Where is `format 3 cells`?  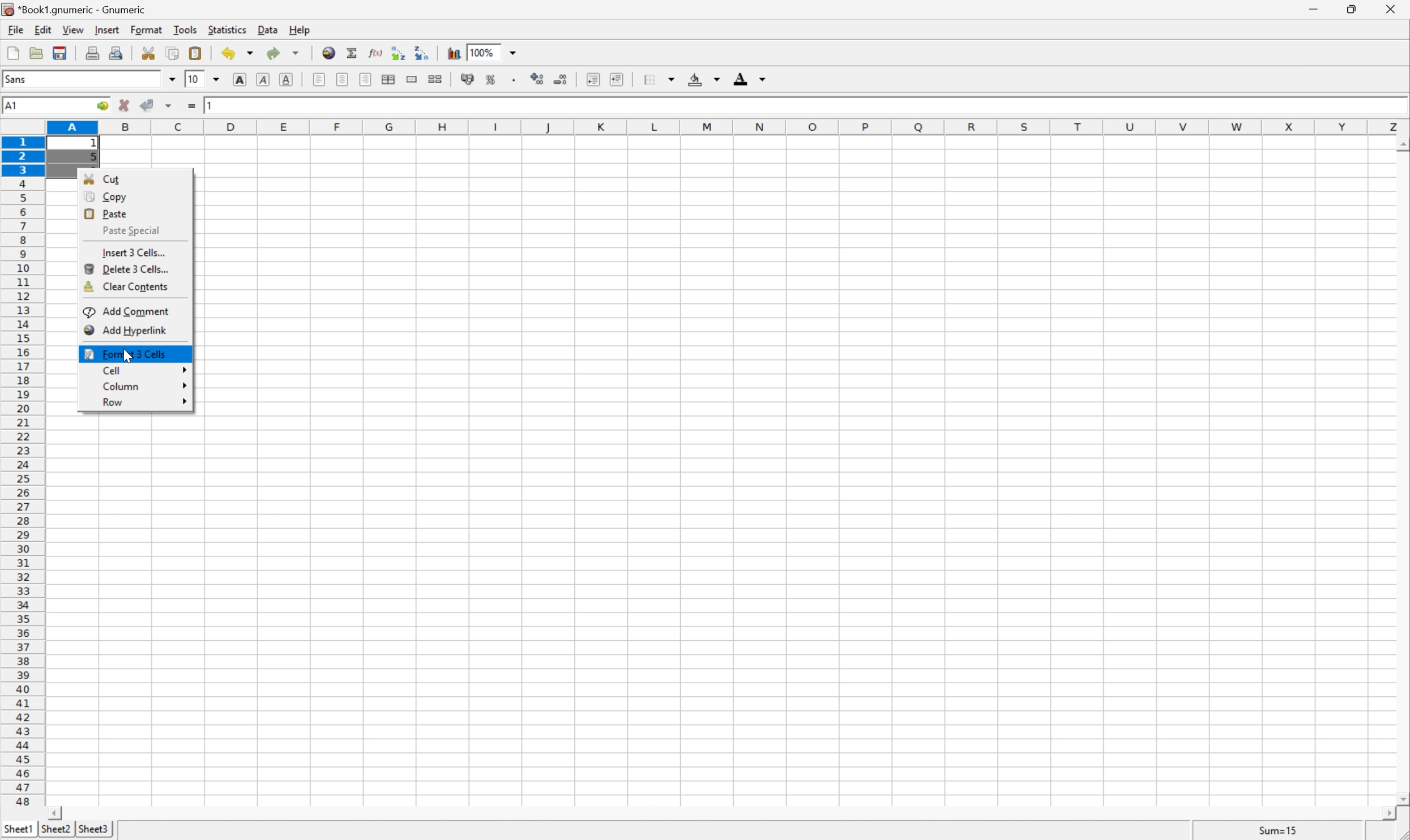 format 3 cells is located at coordinates (126, 353).